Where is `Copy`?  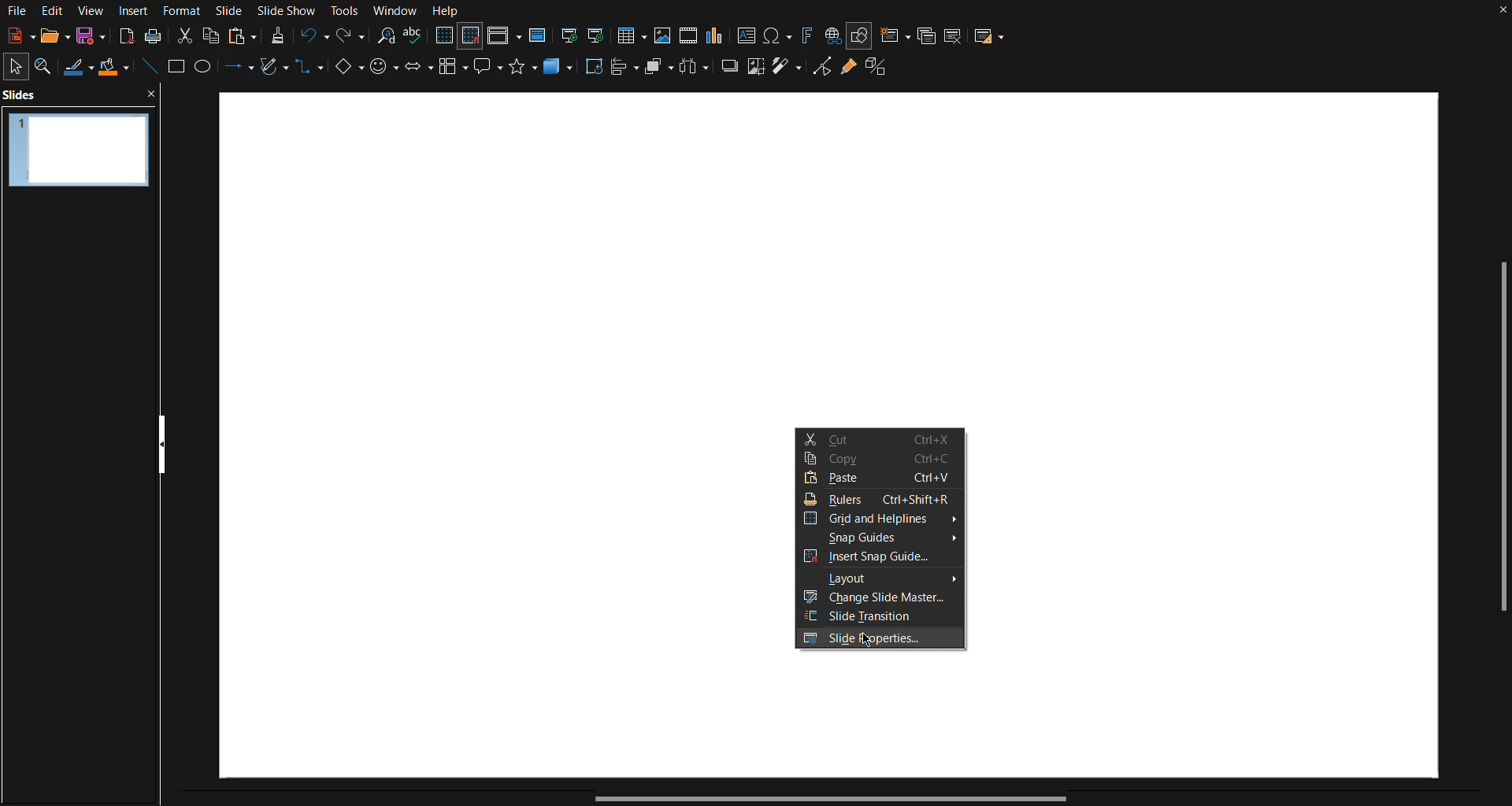 Copy is located at coordinates (212, 35).